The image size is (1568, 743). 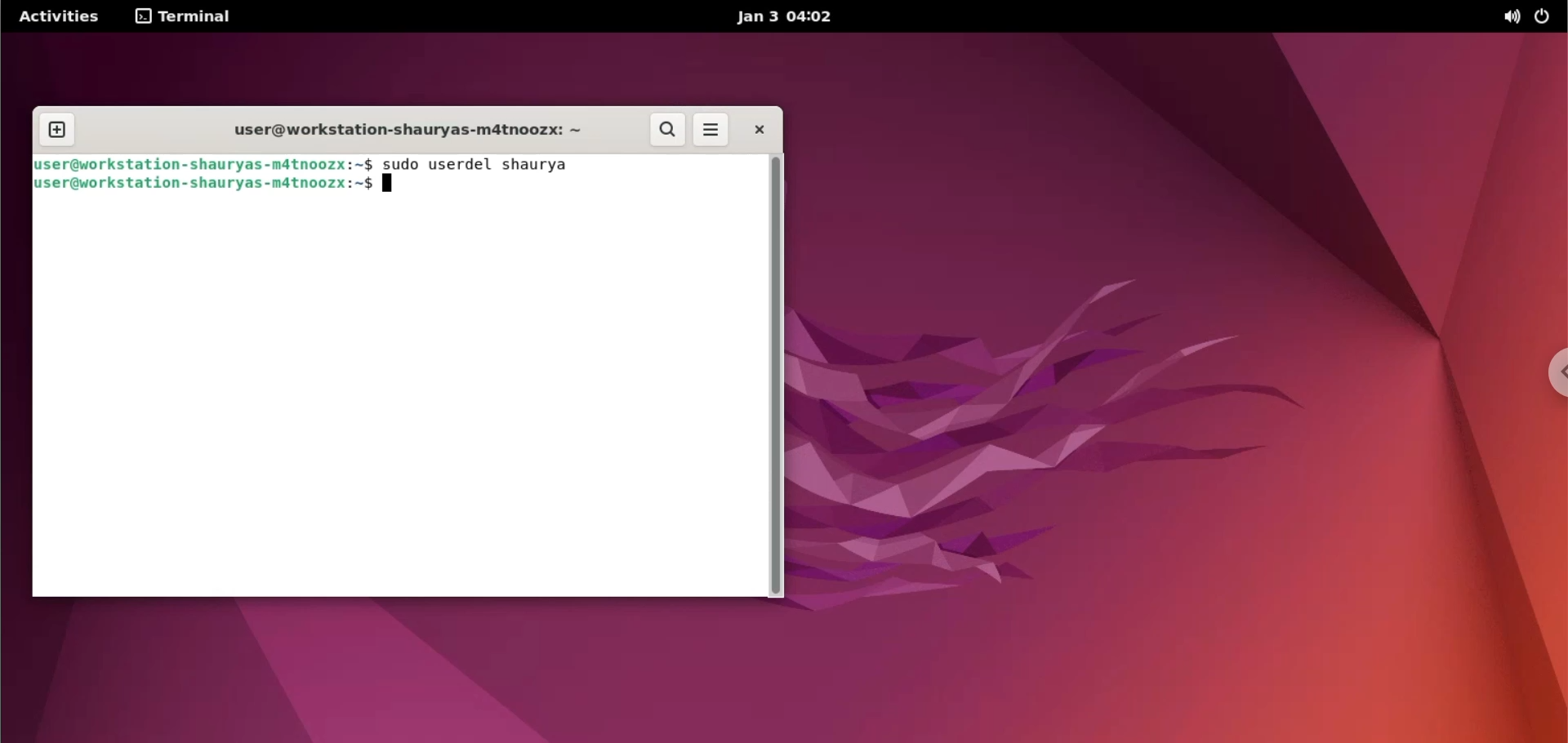 What do you see at coordinates (775, 376) in the screenshot?
I see `scrollbar` at bounding box center [775, 376].